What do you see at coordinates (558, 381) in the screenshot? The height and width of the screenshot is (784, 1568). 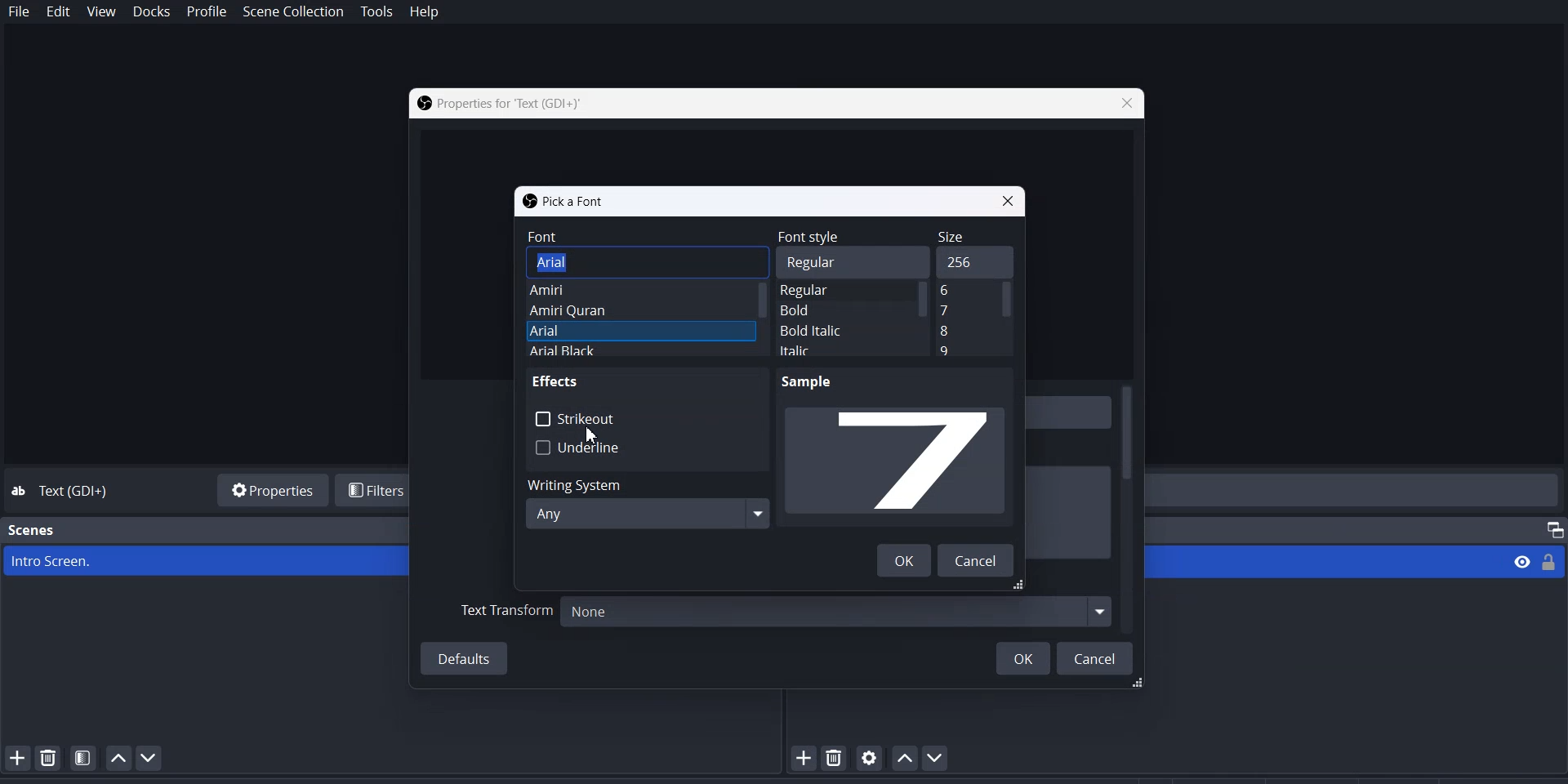 I see `Effects` at bounding box center [558, 381].